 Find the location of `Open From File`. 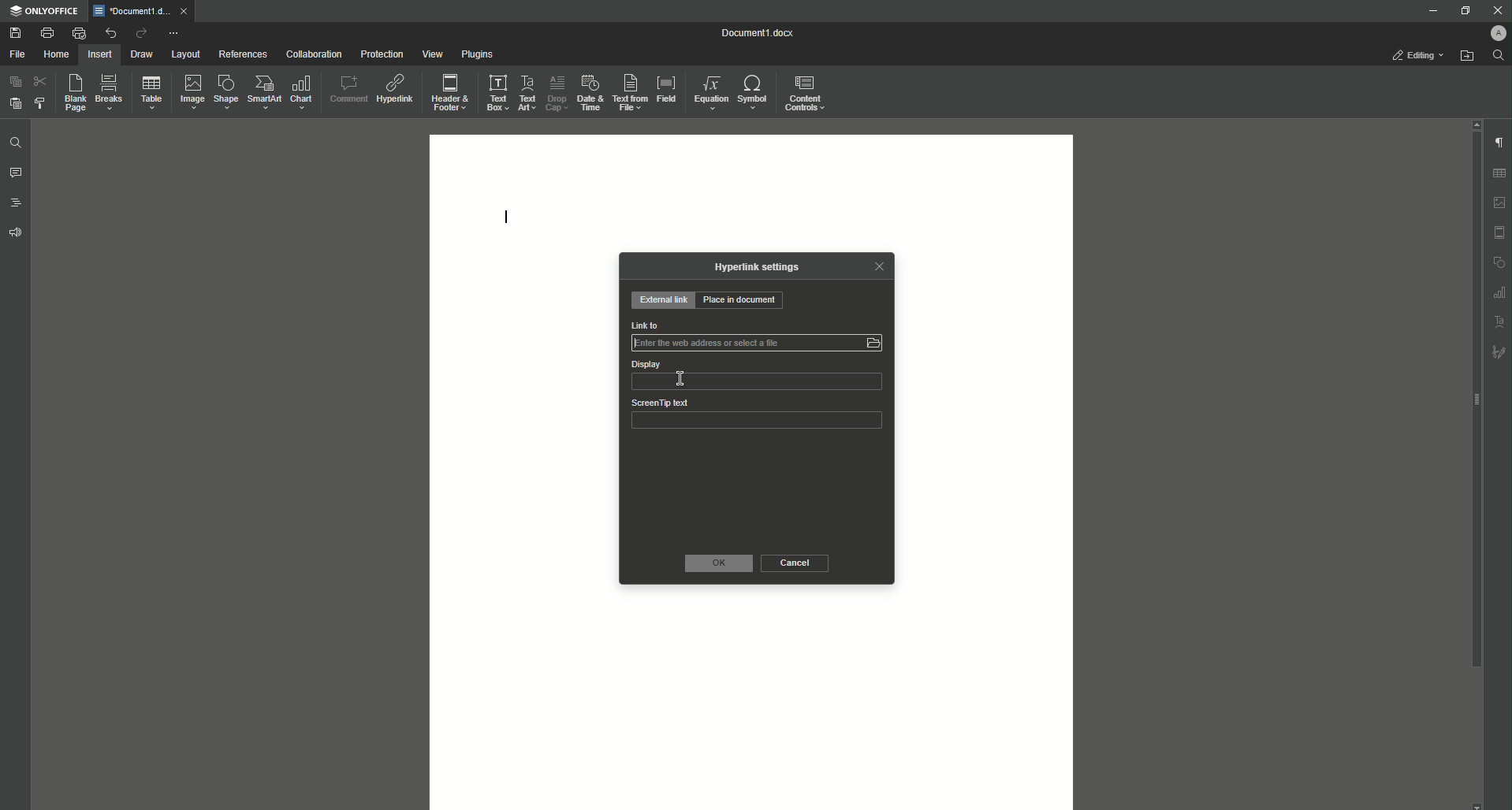

Open From File is located at coordinates (1467, 58).